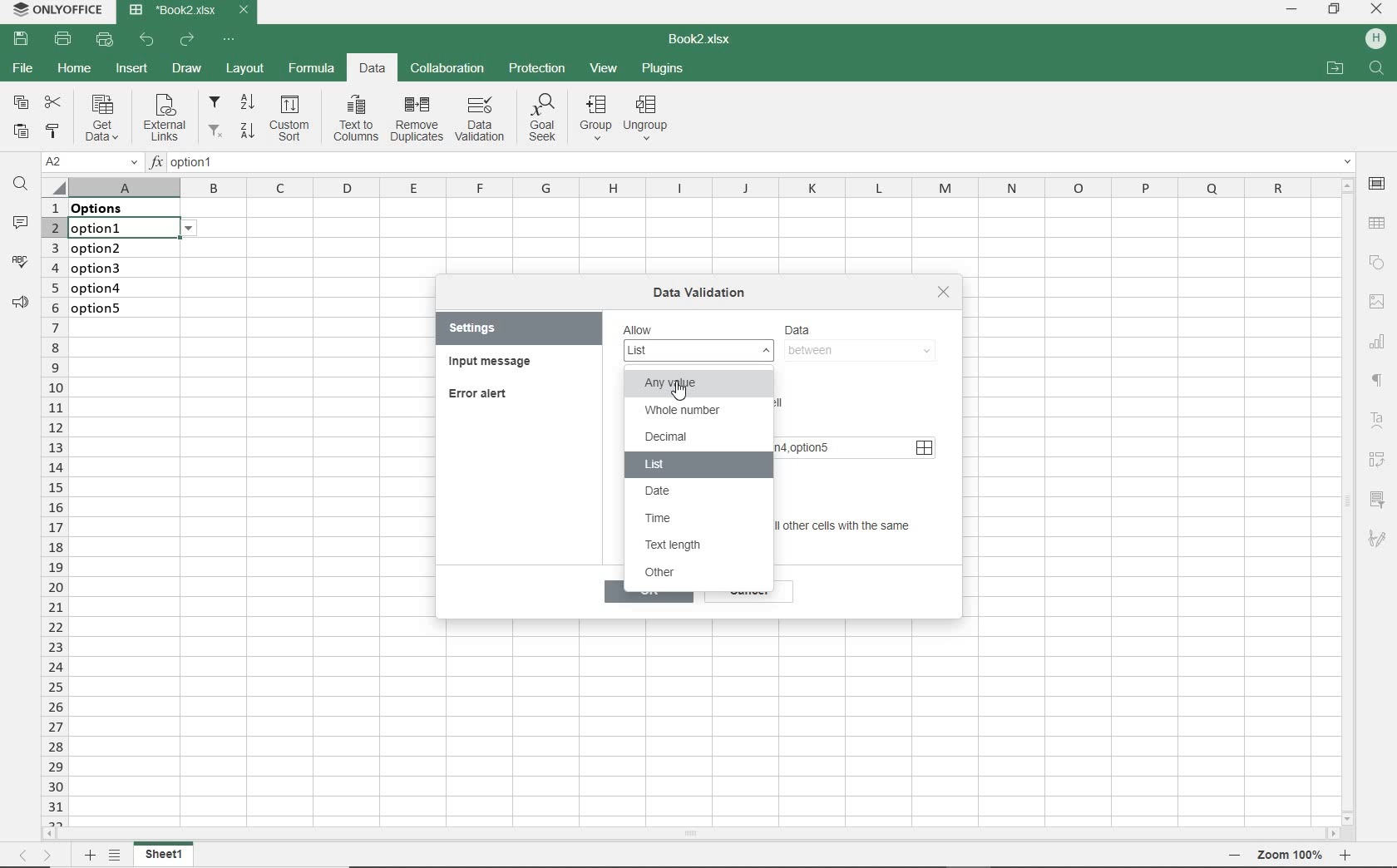 The width and height of the screenshot is (1397, 868). What do you see at coordinates (52, 101) in the screenshot?
I see `CUT` at bounding box center [52, 101].